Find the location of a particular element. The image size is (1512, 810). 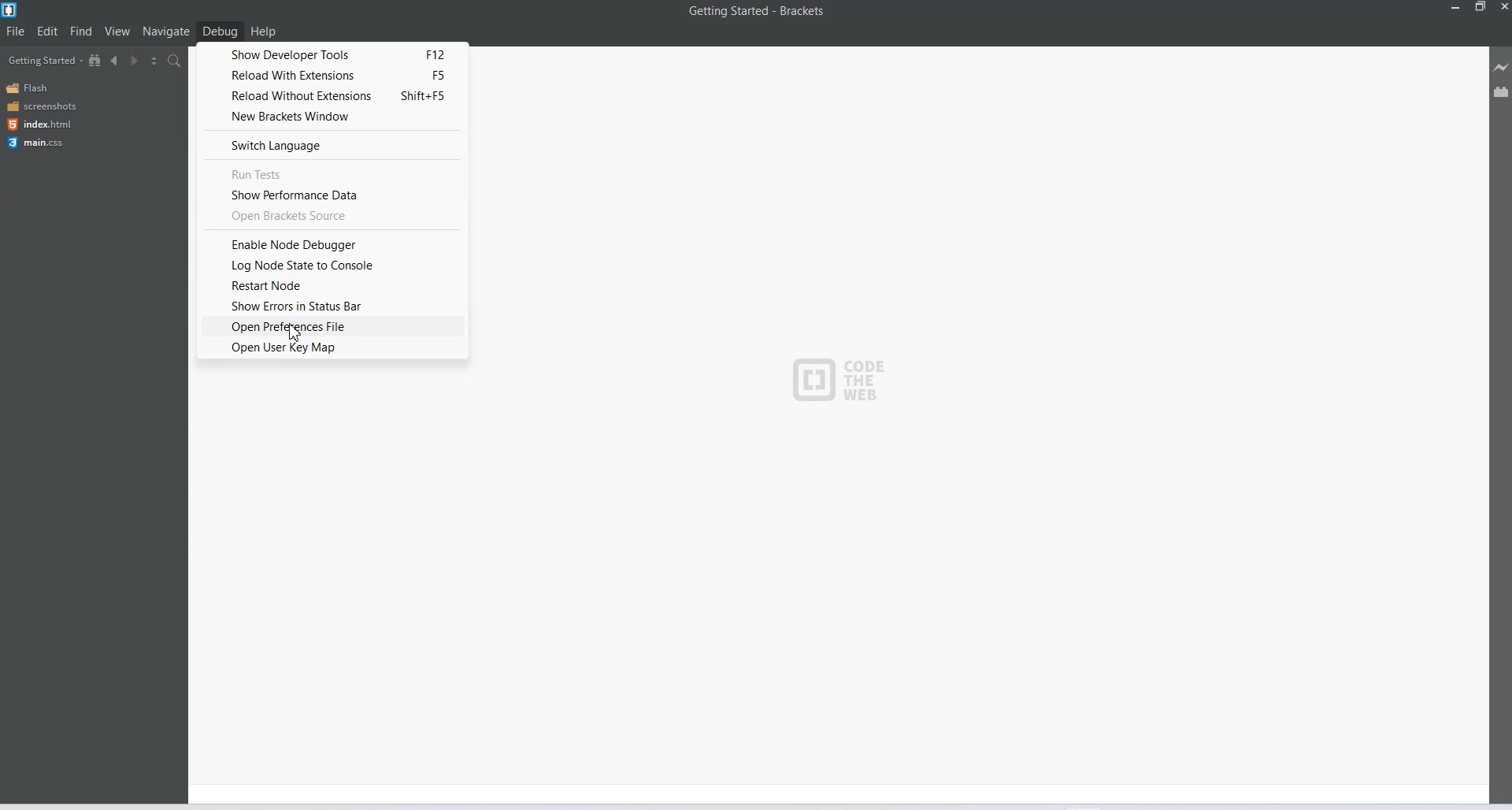

Cursor is located at coordinates (296, 334).